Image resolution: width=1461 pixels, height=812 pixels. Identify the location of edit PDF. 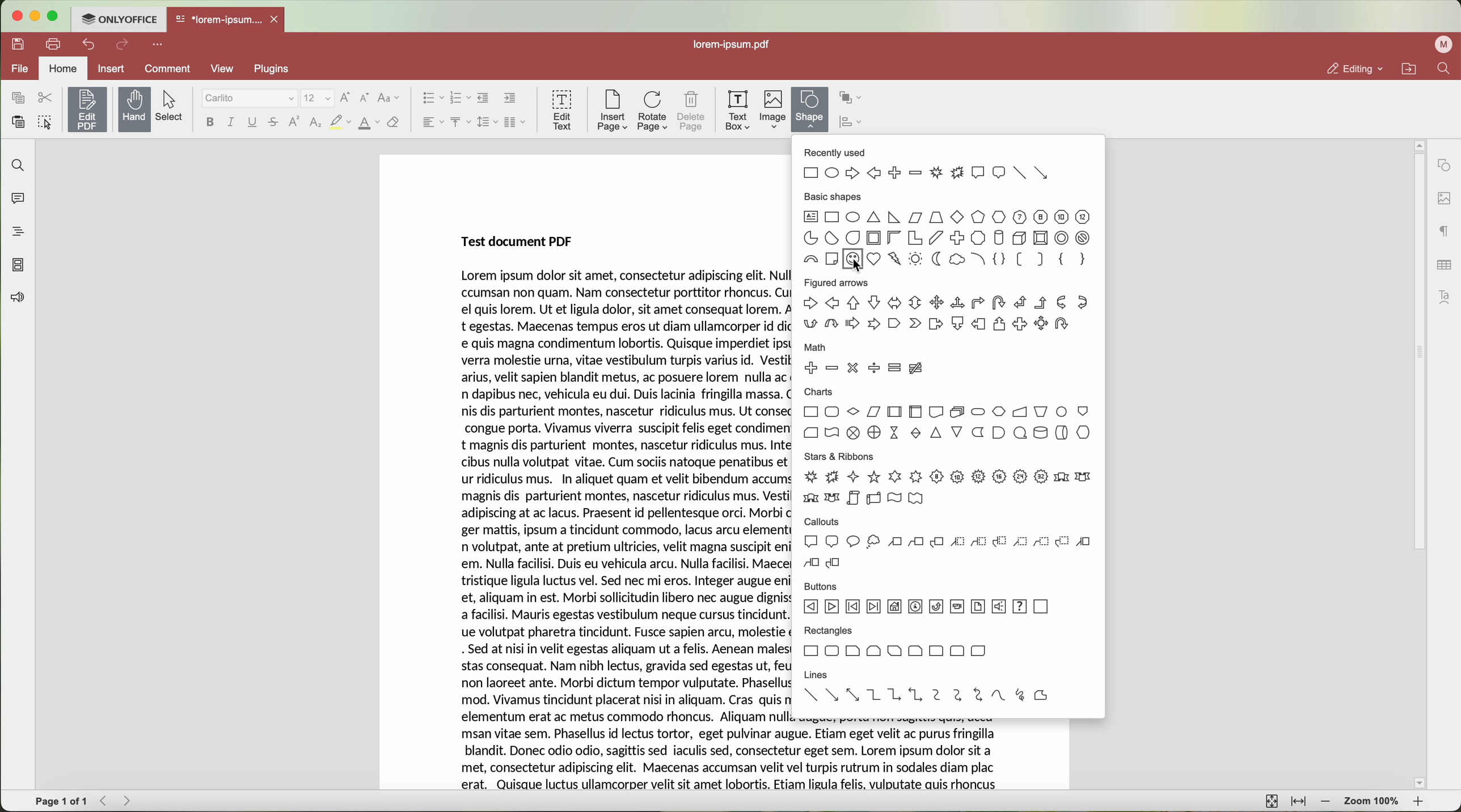
(90, 107).